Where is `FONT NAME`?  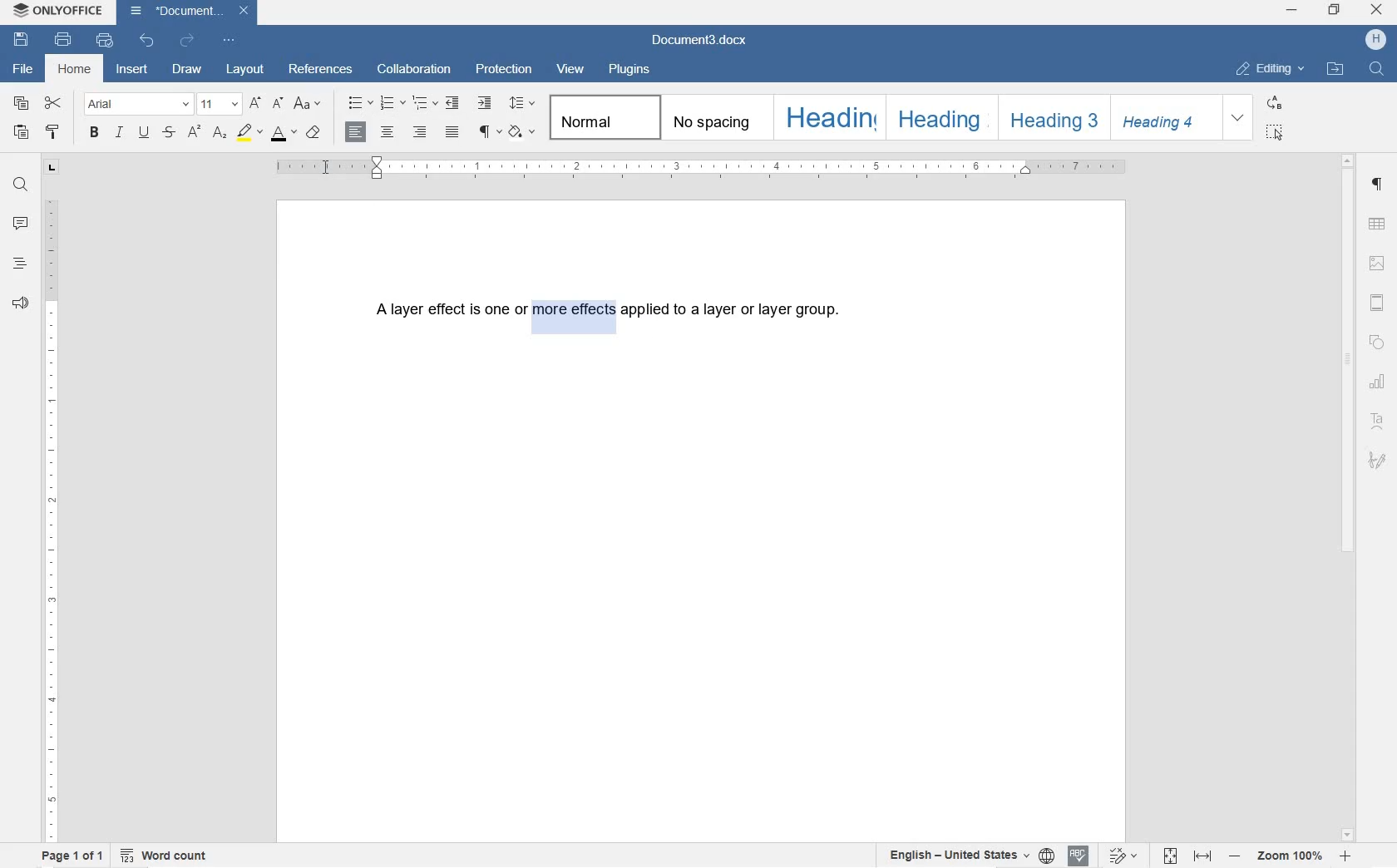 FONT NAME is located at coordinates (137, 103).